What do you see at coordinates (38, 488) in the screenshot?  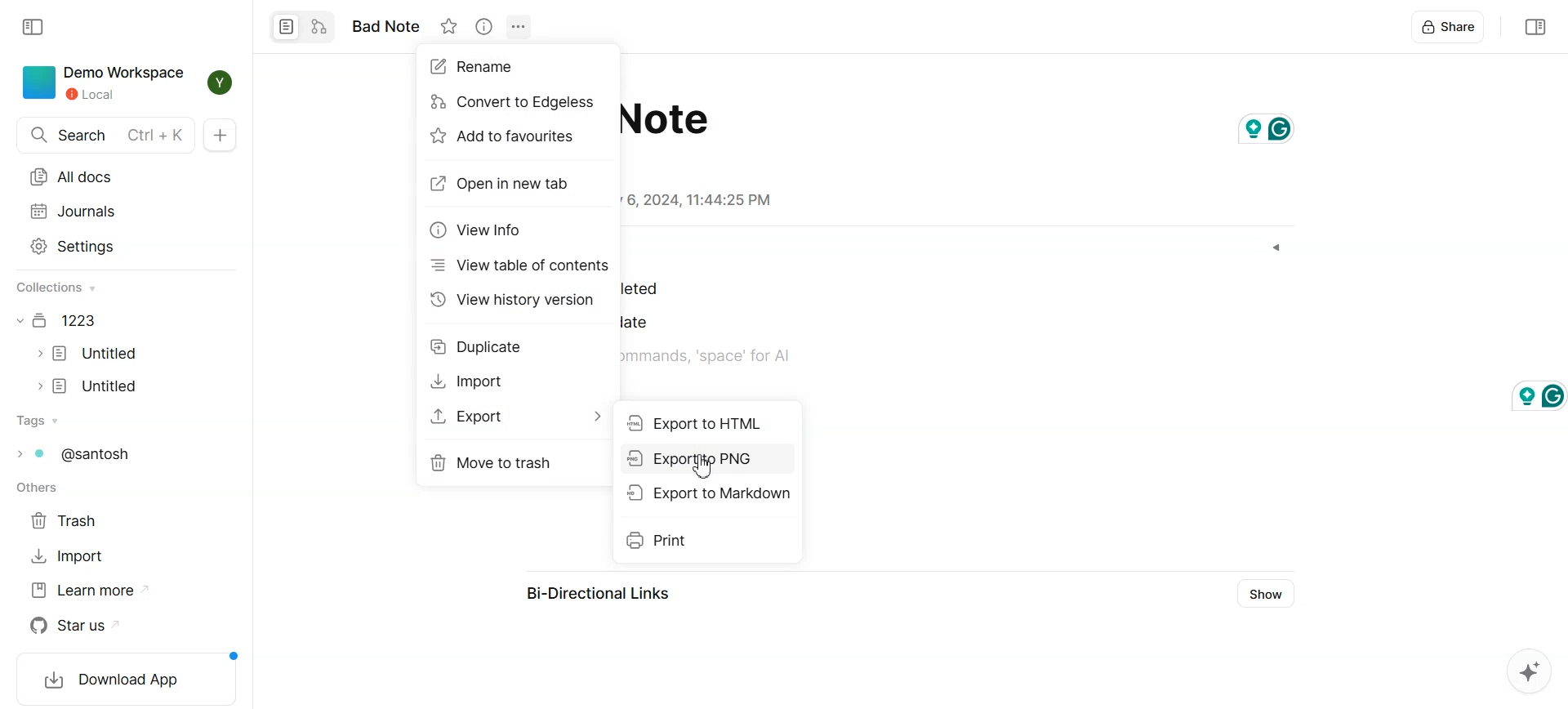 I see `others` at bounding box center [38, 488].